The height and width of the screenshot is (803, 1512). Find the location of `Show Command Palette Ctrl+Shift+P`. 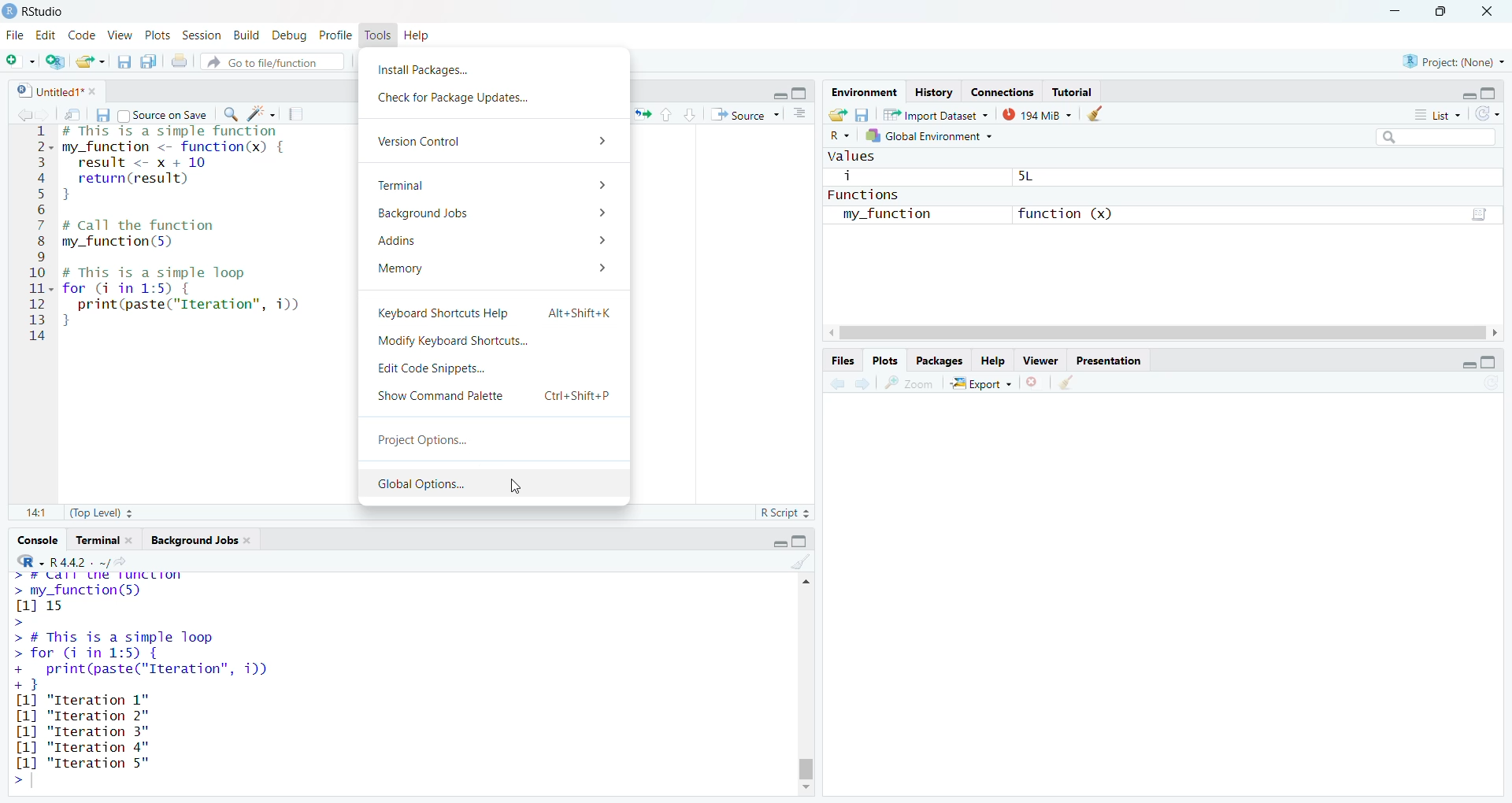

Show Command Palette Ctrl+Shift+P is located at coordinates (496, 396).